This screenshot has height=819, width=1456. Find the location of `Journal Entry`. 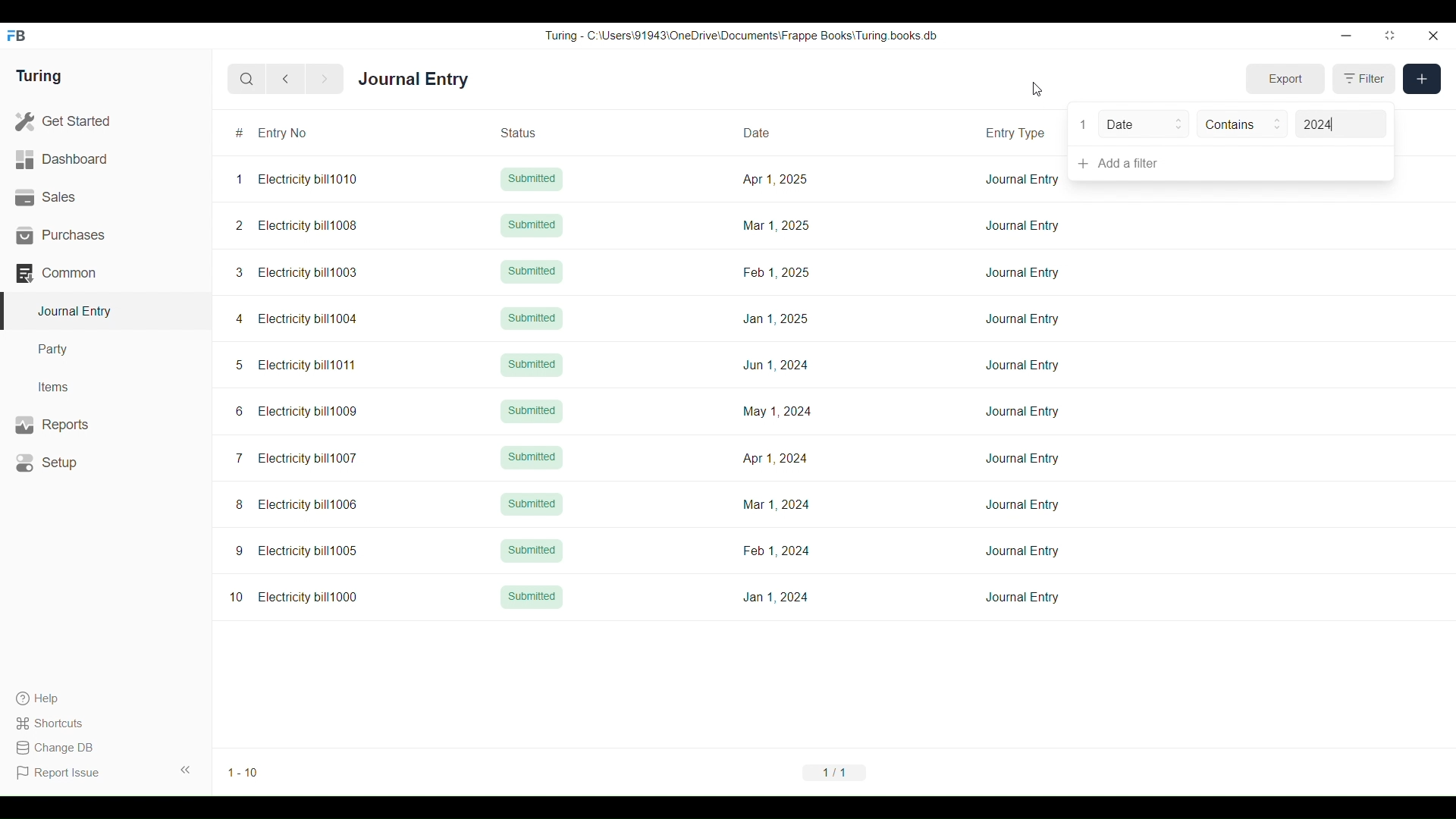

Journal Entry is located at coordinates (1022, 365).